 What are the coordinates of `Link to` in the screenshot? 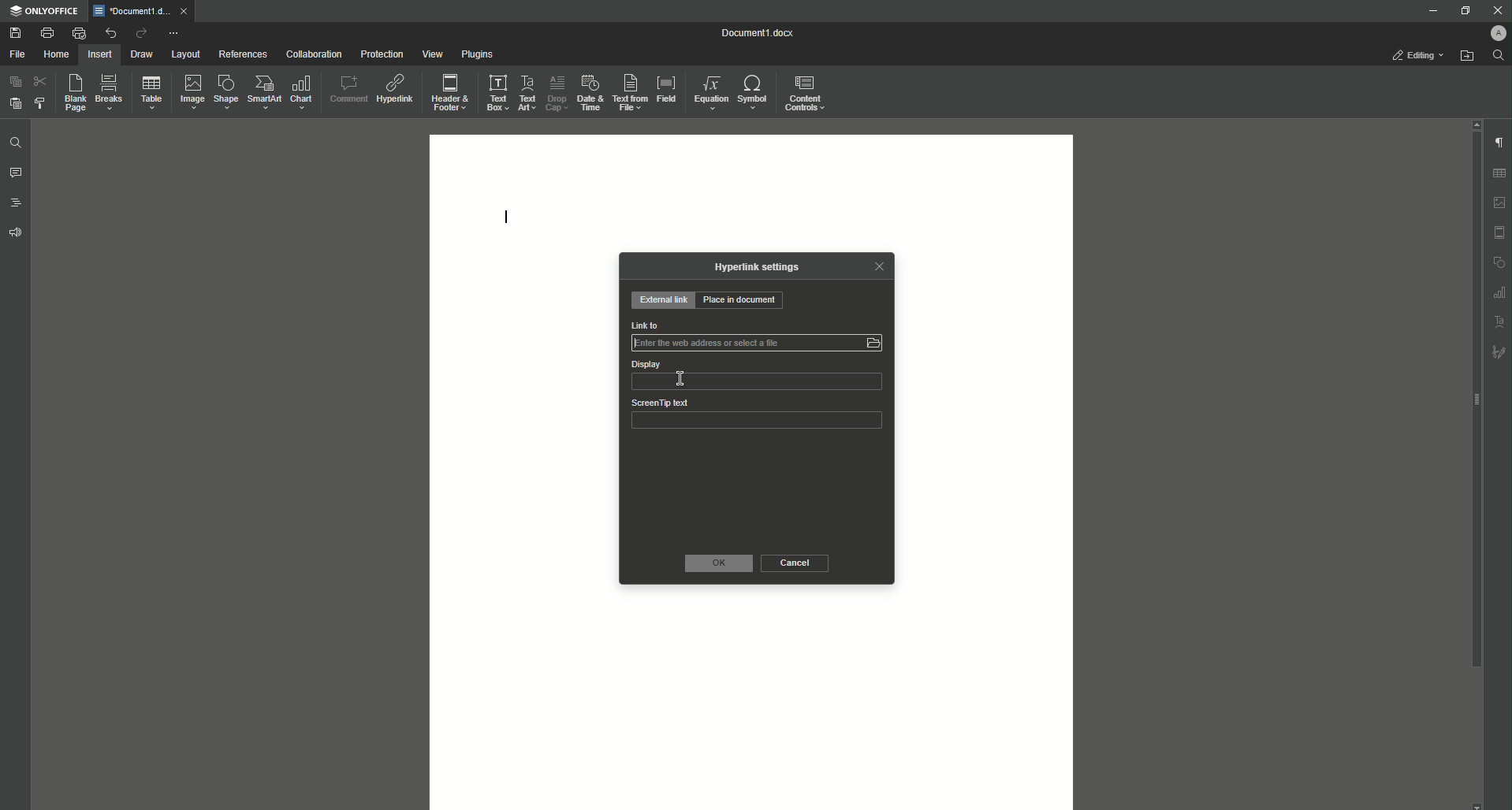 It's located at (758, 345).